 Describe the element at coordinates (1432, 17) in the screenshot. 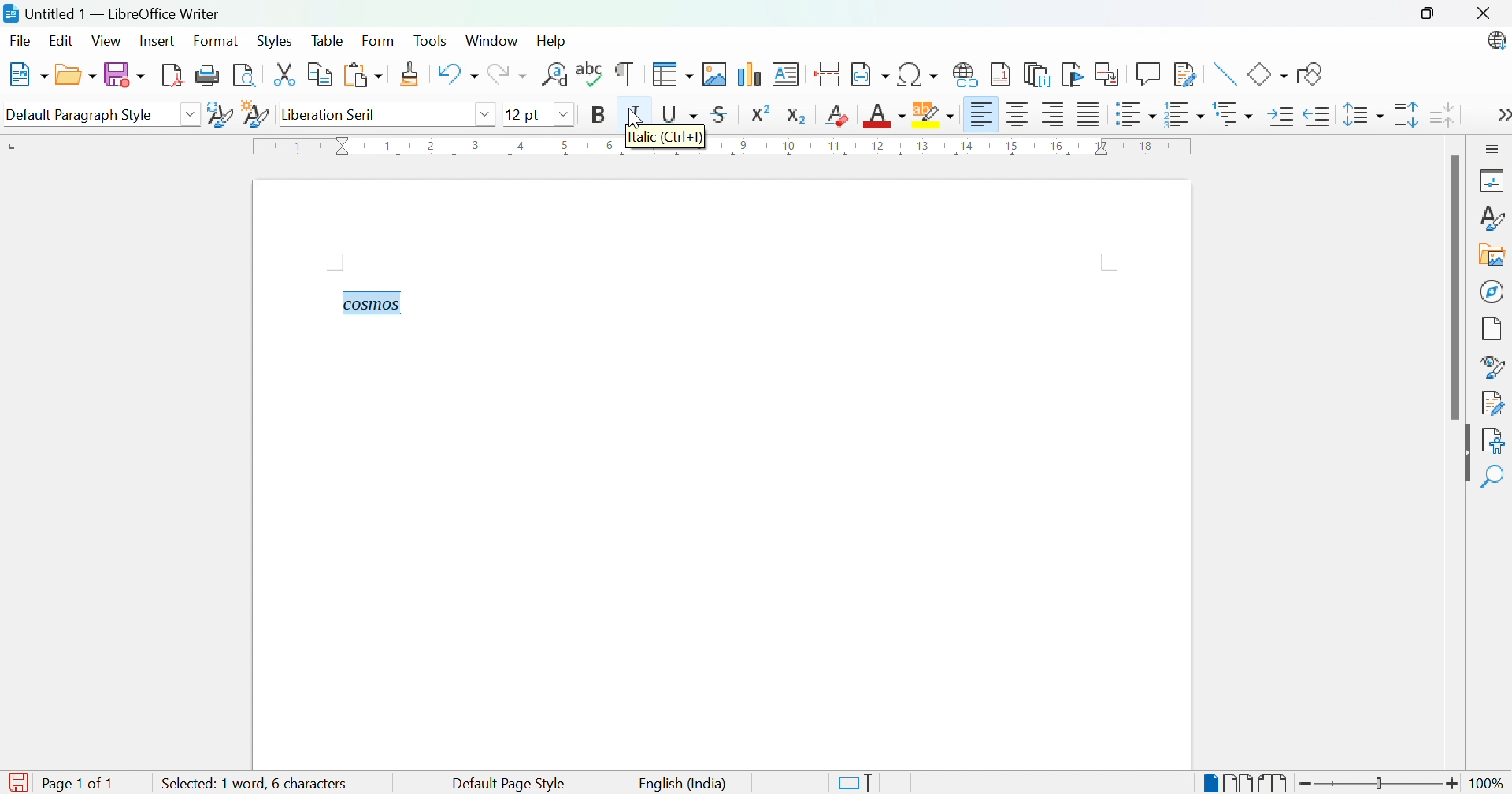

I see `Restore down` at that location.